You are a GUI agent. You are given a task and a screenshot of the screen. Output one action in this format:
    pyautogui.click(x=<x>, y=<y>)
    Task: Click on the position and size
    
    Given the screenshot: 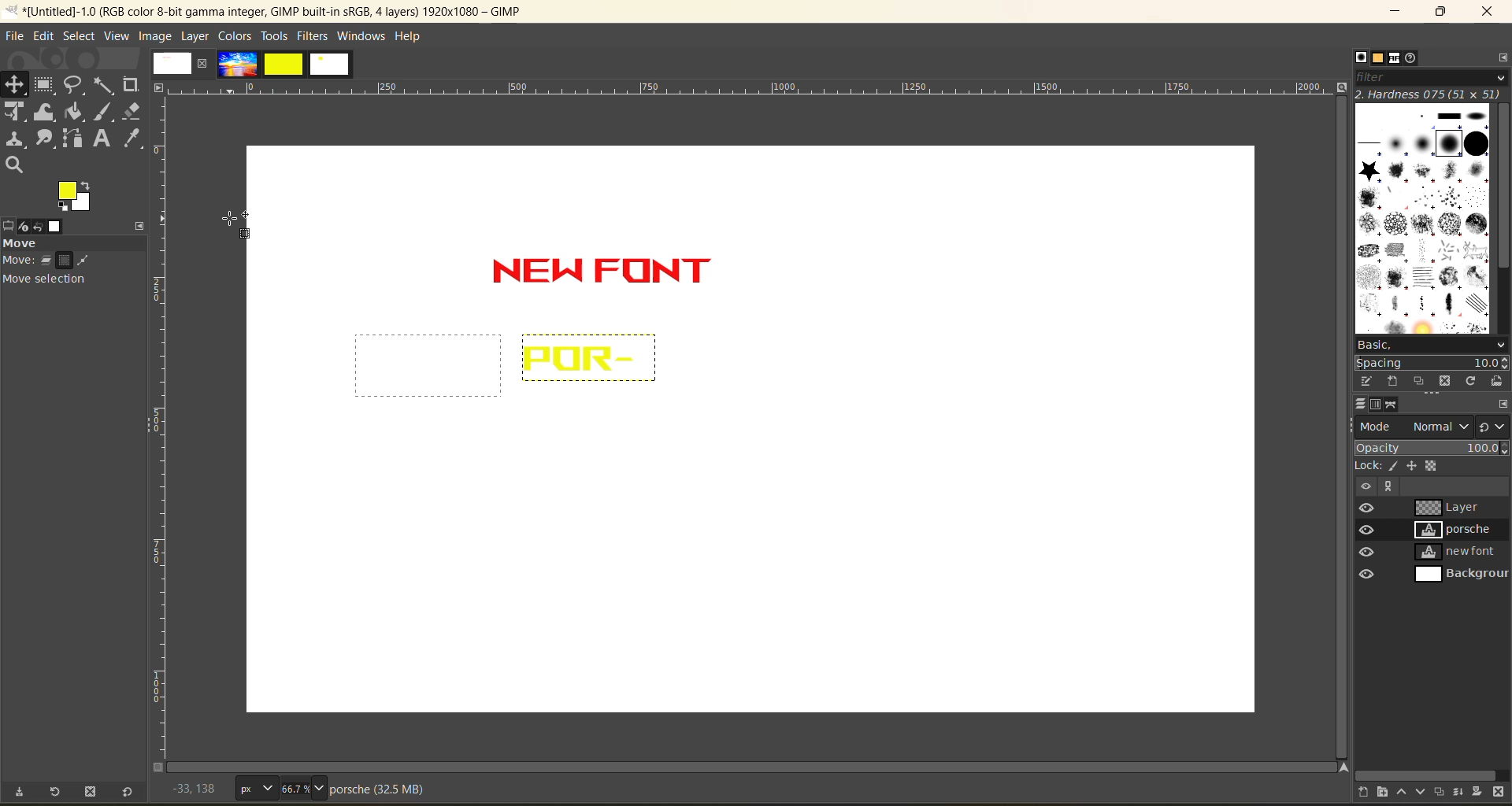 What is the action you would take?
    pyautogui.click(x=1414, y=467)
    